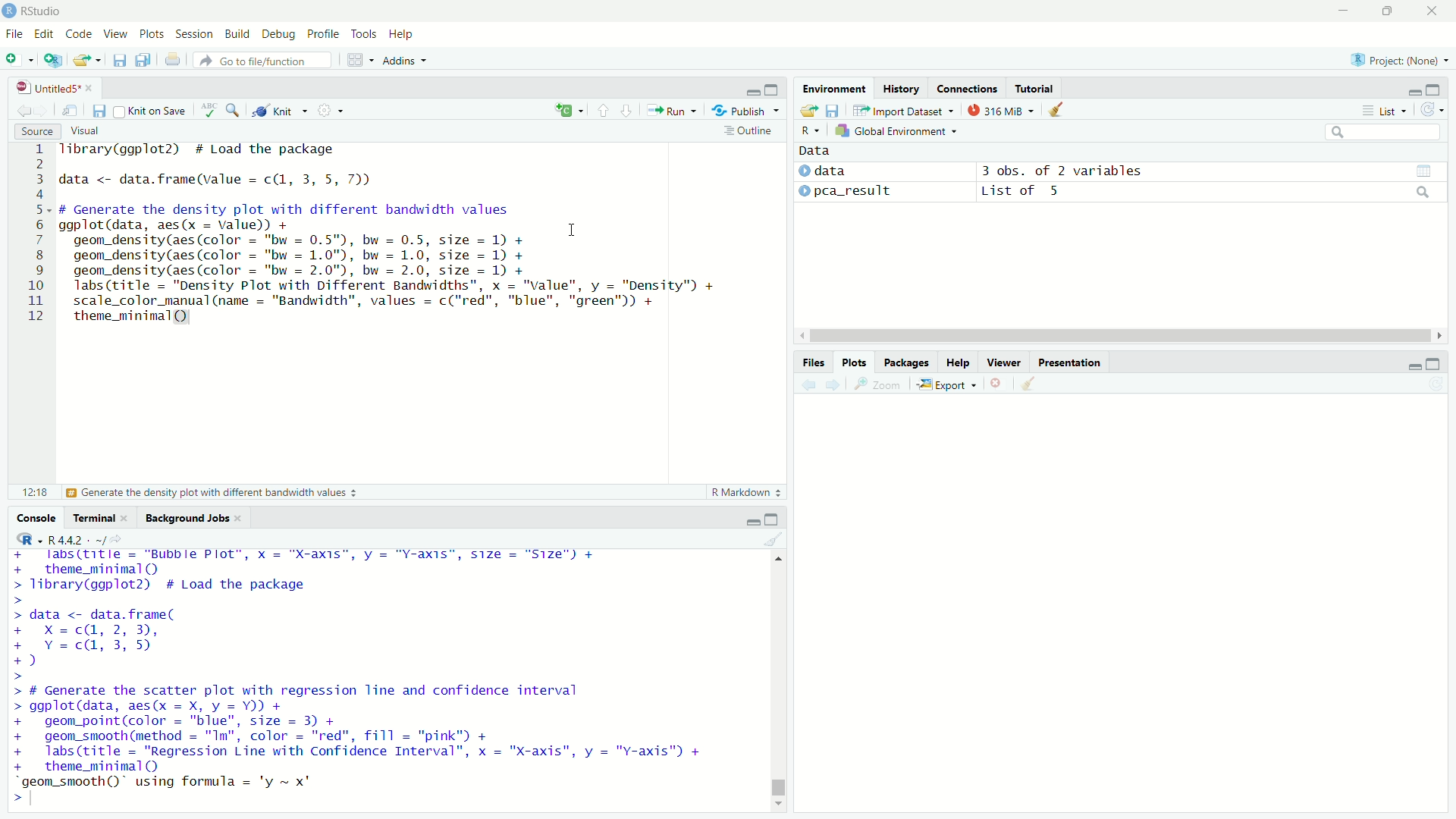 Image resolution: width=1456 pixels, height=819 pixels. What do you see at coordinates (804, 190) in the screenshot?
I see `expand/collapse` at bounding box center [804, 190].